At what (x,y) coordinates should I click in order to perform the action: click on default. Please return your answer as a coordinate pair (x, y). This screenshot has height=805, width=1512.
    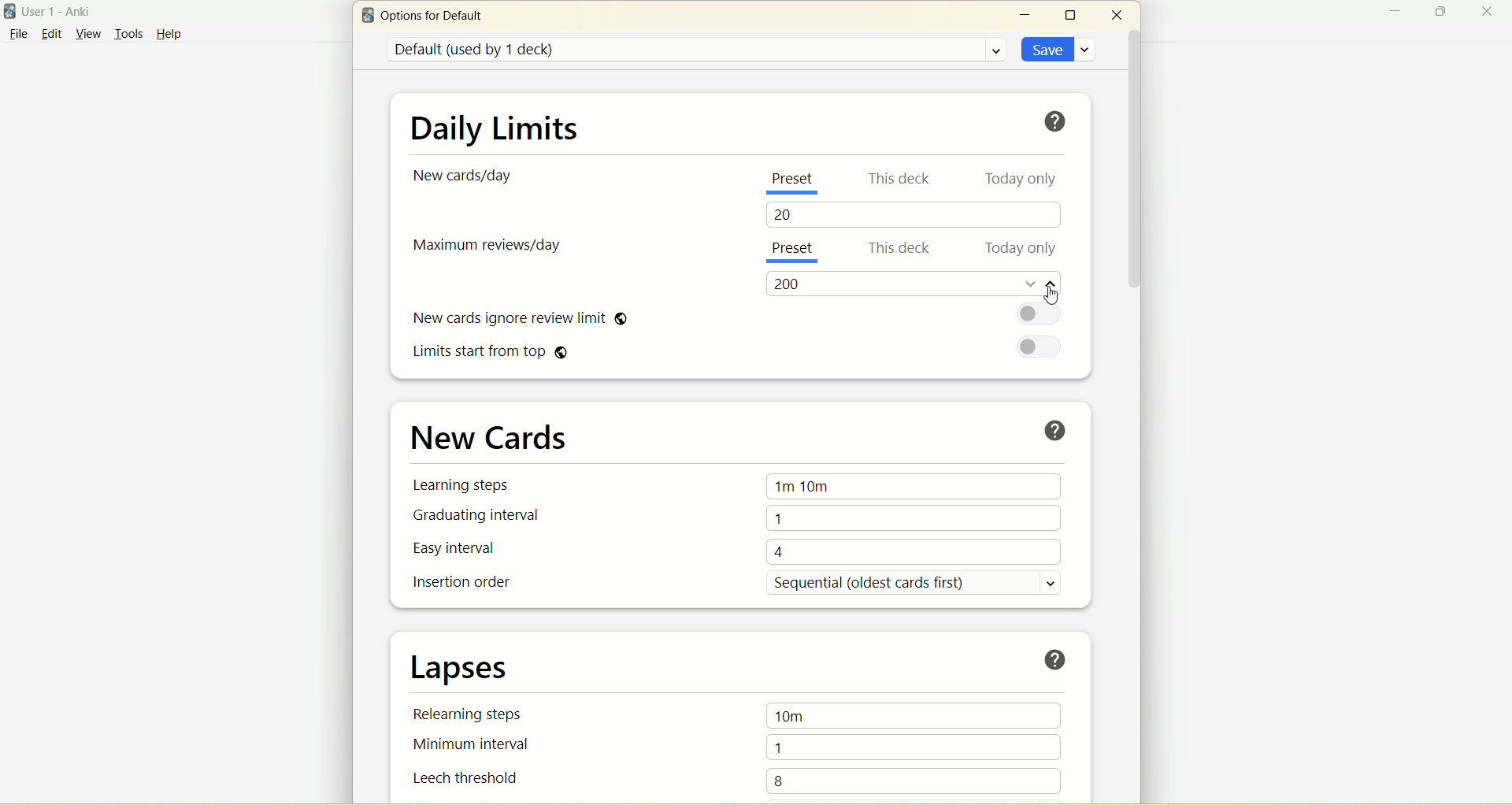
    Looking at the image, I should click on (696, 50).